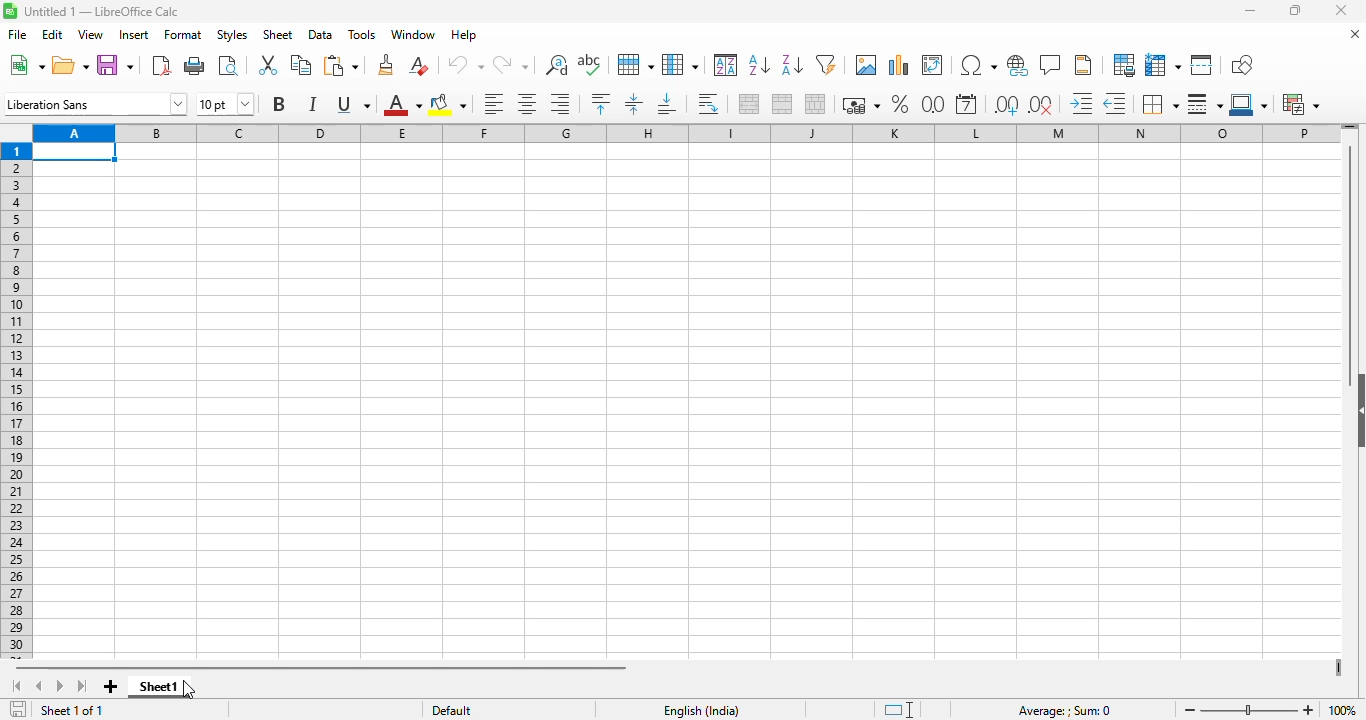 The height and width of the screenshot is (720, 1366). Describe the element at coordinates (53, 34) in the screenshot. I see `edit` at that location.